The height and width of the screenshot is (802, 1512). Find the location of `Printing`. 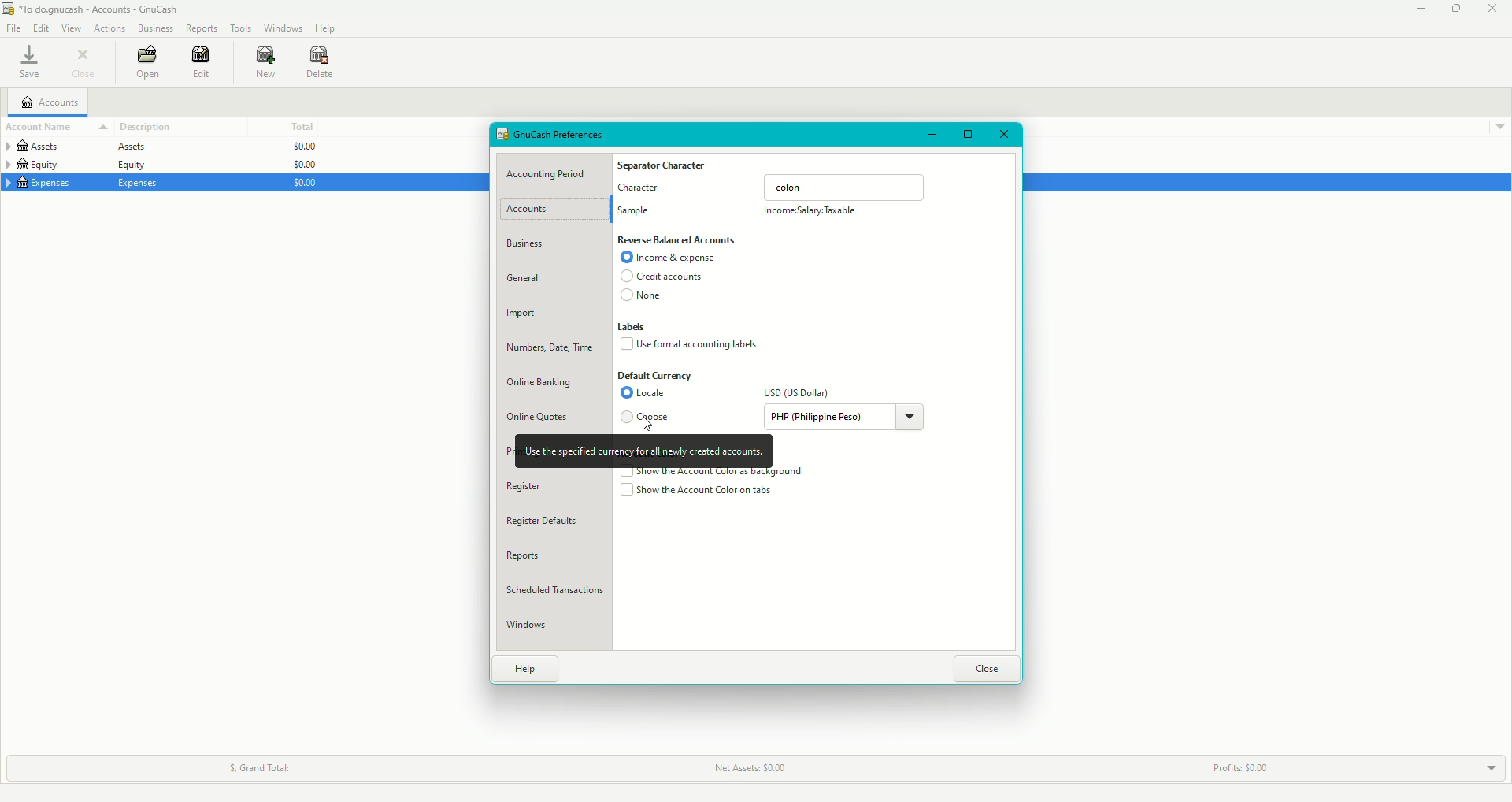

Printing is located at coordinates (510, 448).